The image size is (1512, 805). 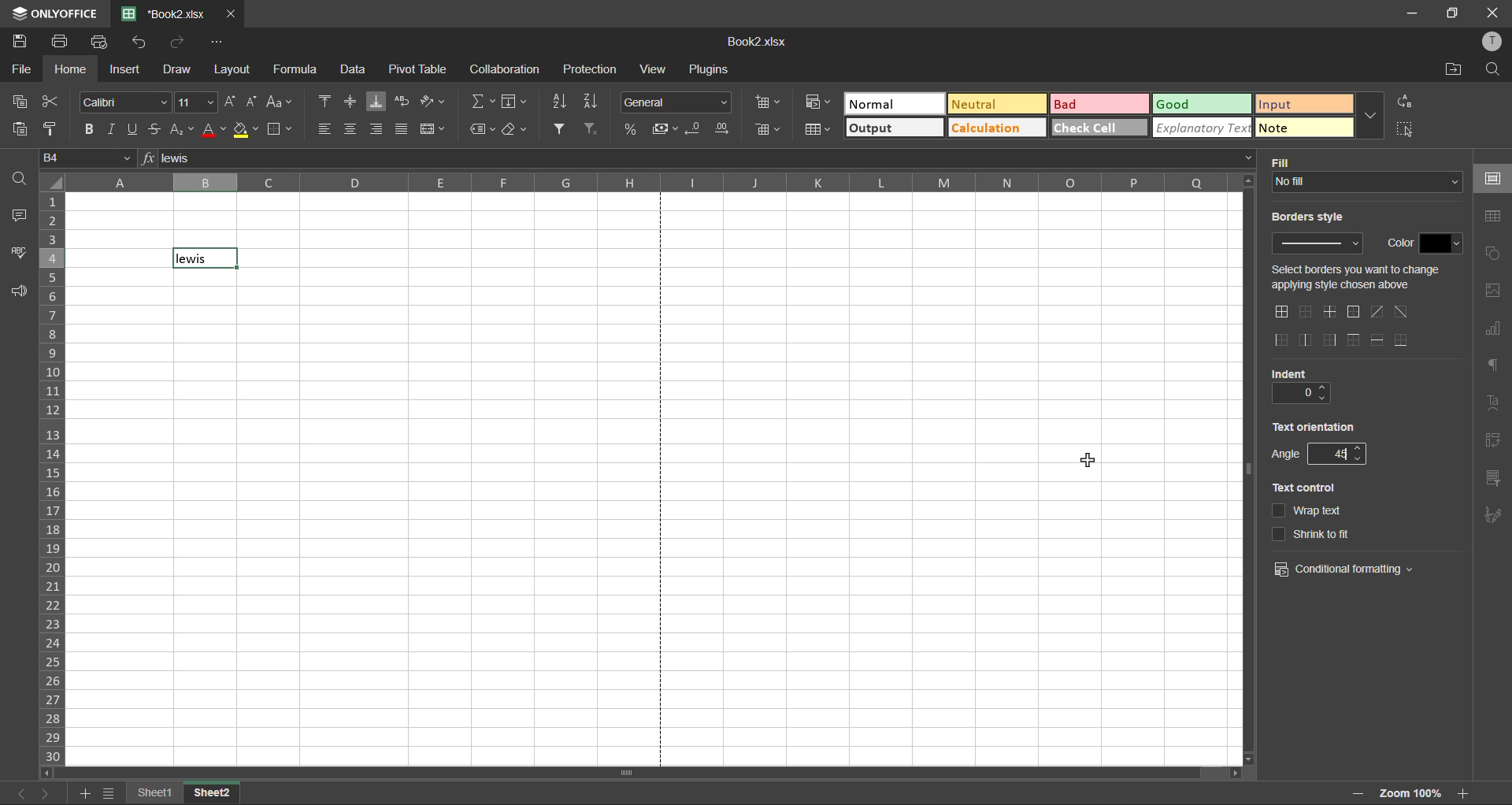 What do you see at coordinates (1492, 518) in the screenshot?
I see `signature` at bounding box center [1492, 518].